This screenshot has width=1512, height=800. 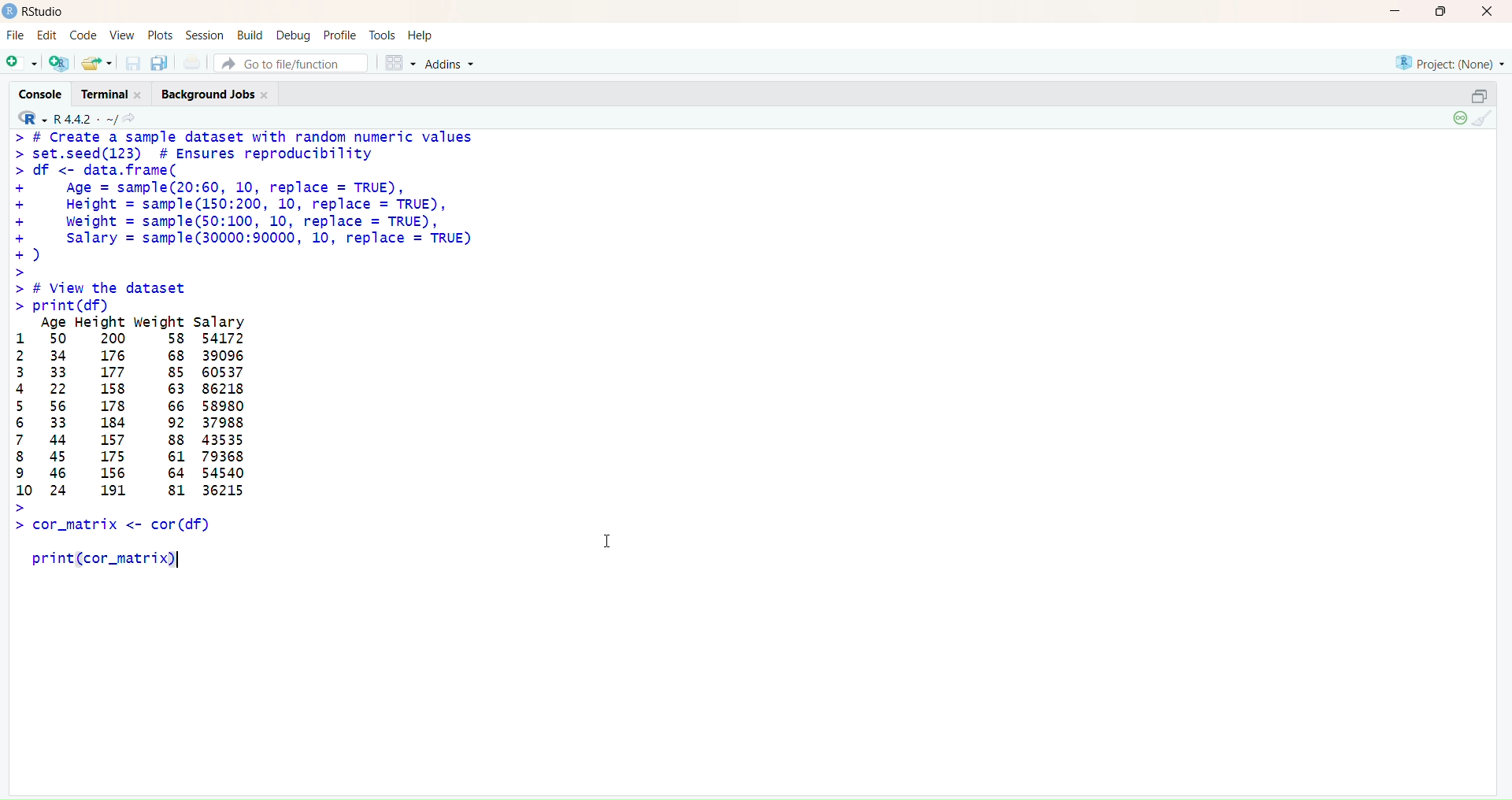 What do you see at coordinates (294, 35) in the screenshot?
I see `Debug` at bounding box center [294, 35].